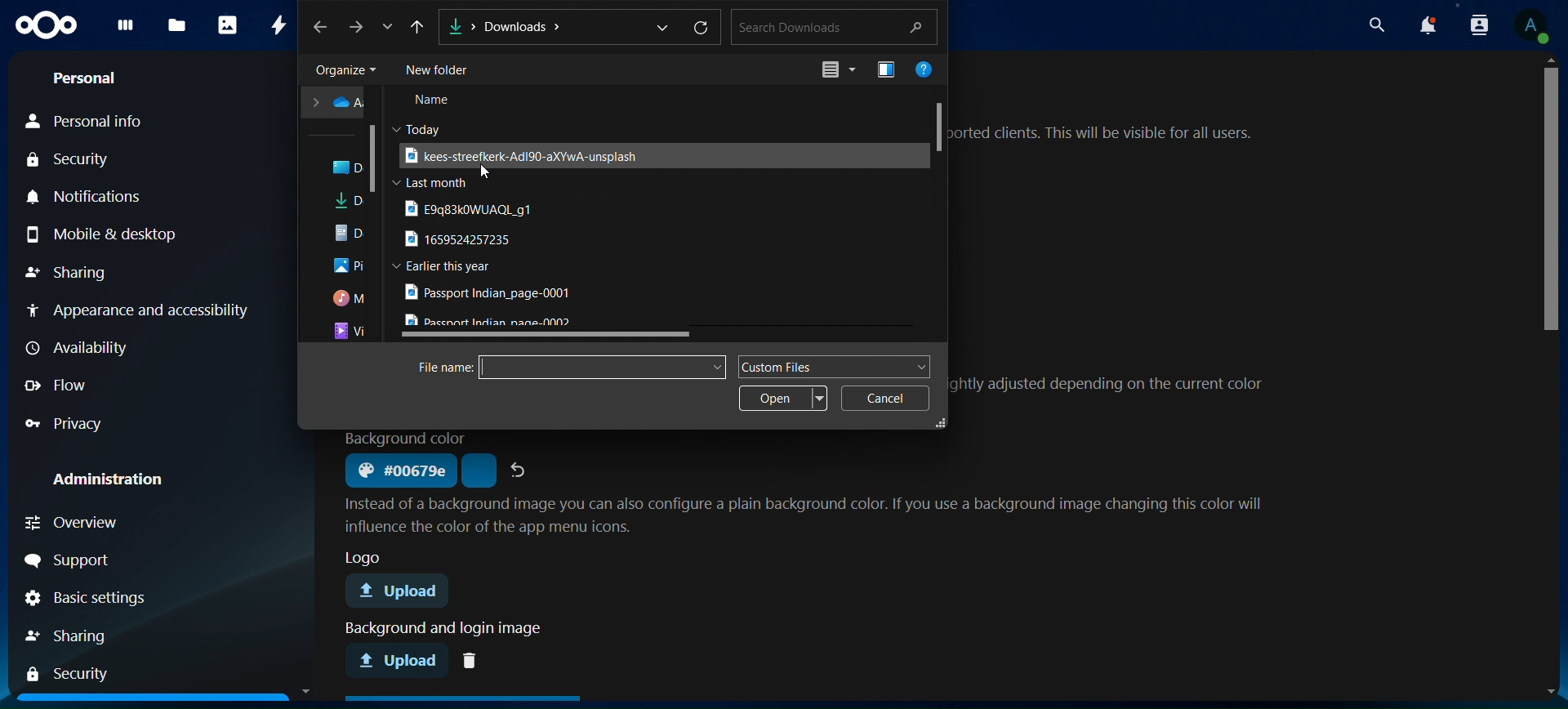  What do you see at coordinates (399, 659) in the screenshot?
I see `background and login image upload` at bounding box center [399, 659].